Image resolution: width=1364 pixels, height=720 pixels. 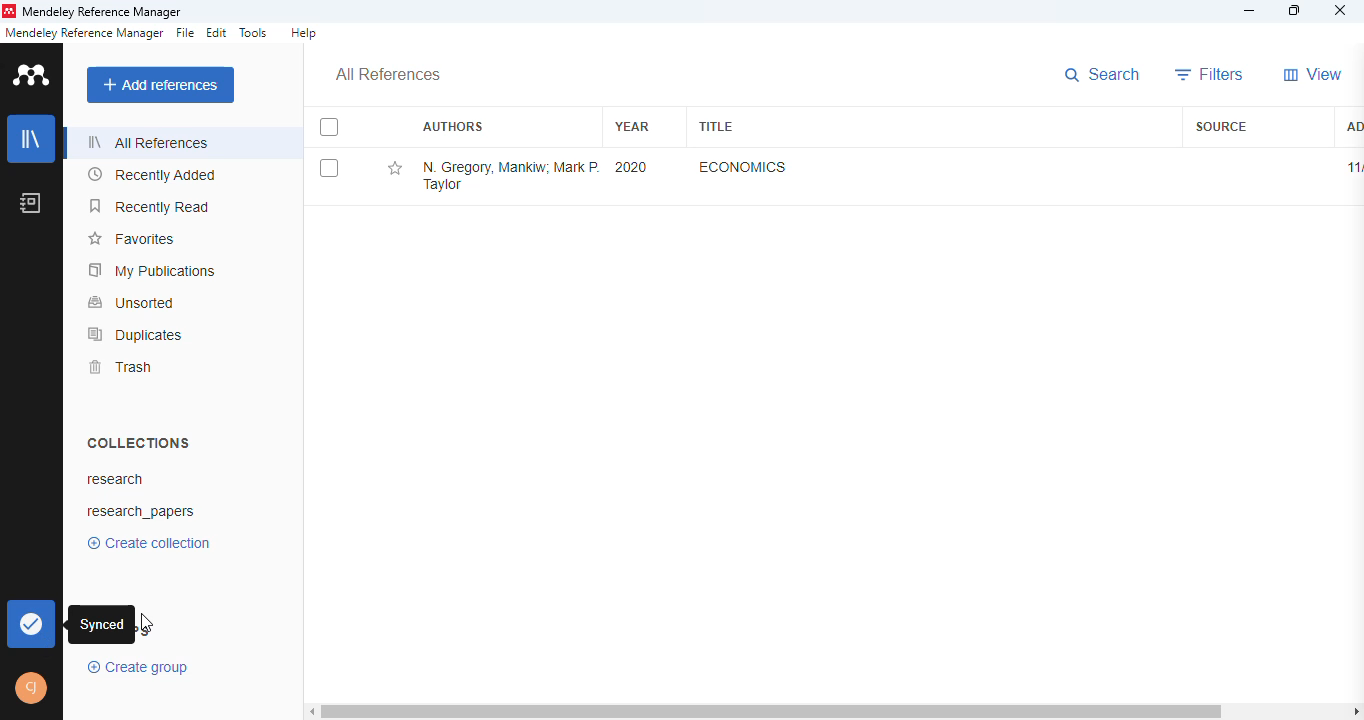 What do you see at coordinates (148, 542) in the screenshot?
I see `create collection` at bounding box center [148, 542].